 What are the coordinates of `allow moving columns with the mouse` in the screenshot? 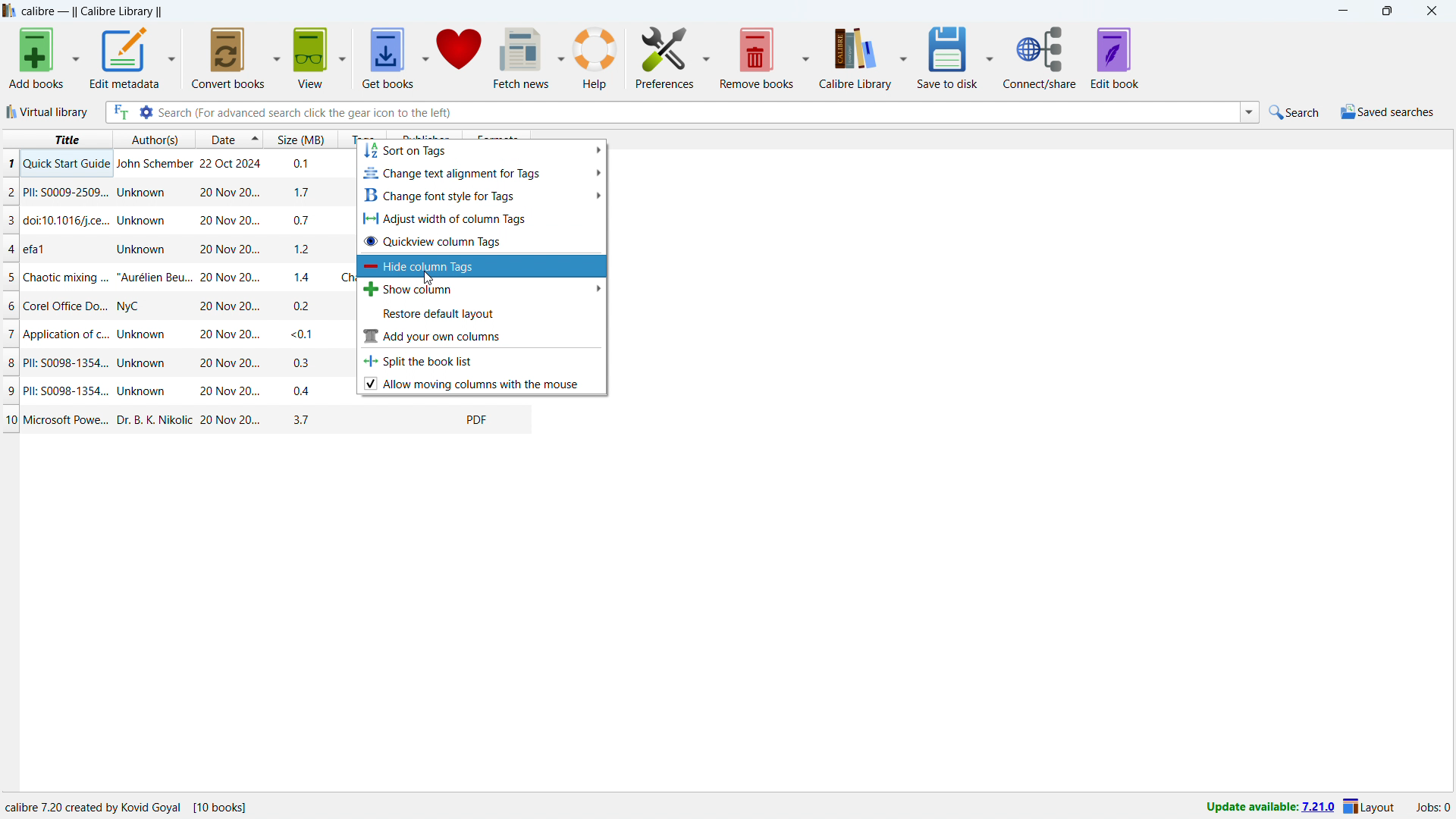 It's located at (482, 383).